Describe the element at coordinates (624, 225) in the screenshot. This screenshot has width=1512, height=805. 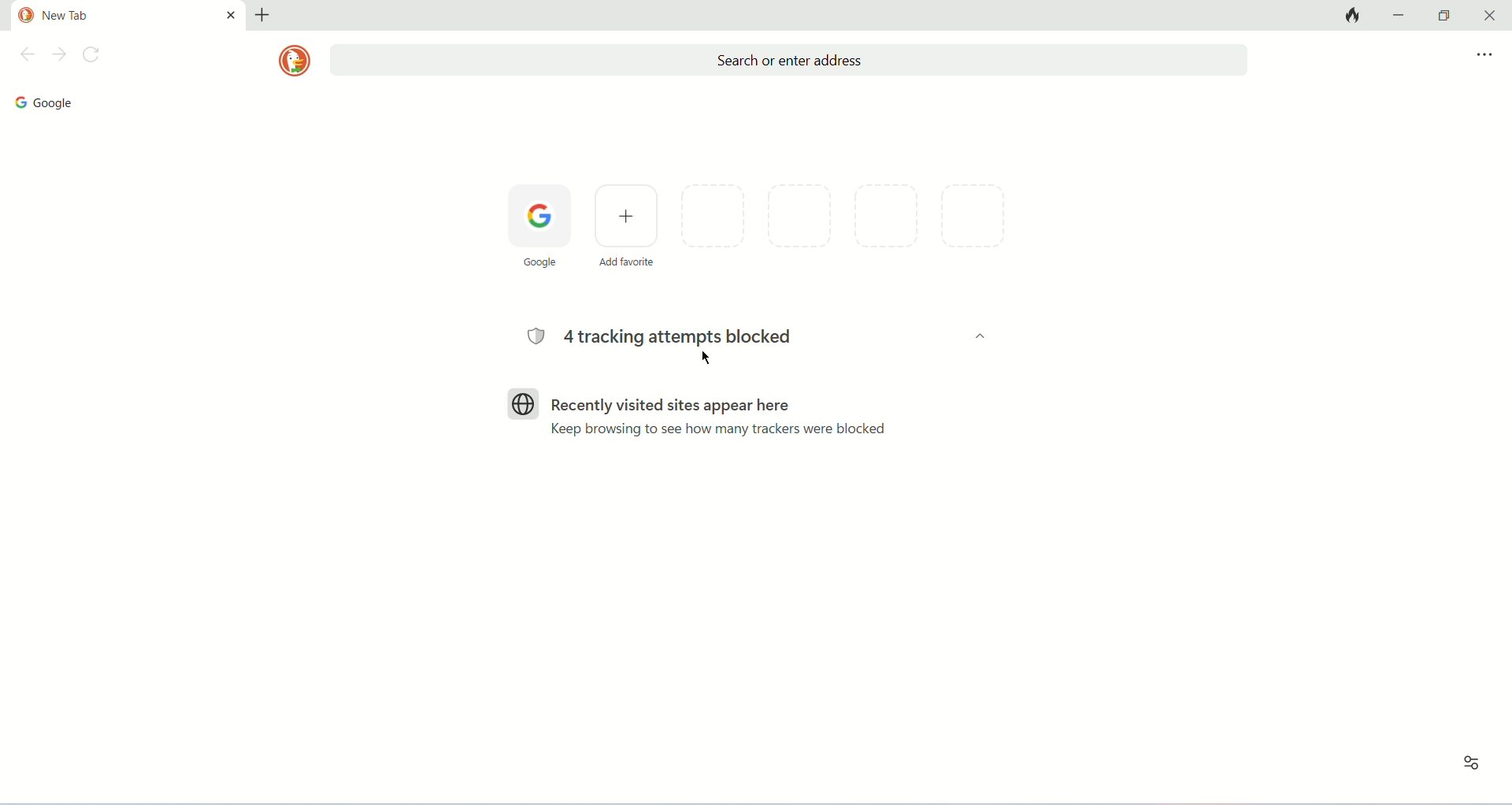
I see `add favorite` at that location.